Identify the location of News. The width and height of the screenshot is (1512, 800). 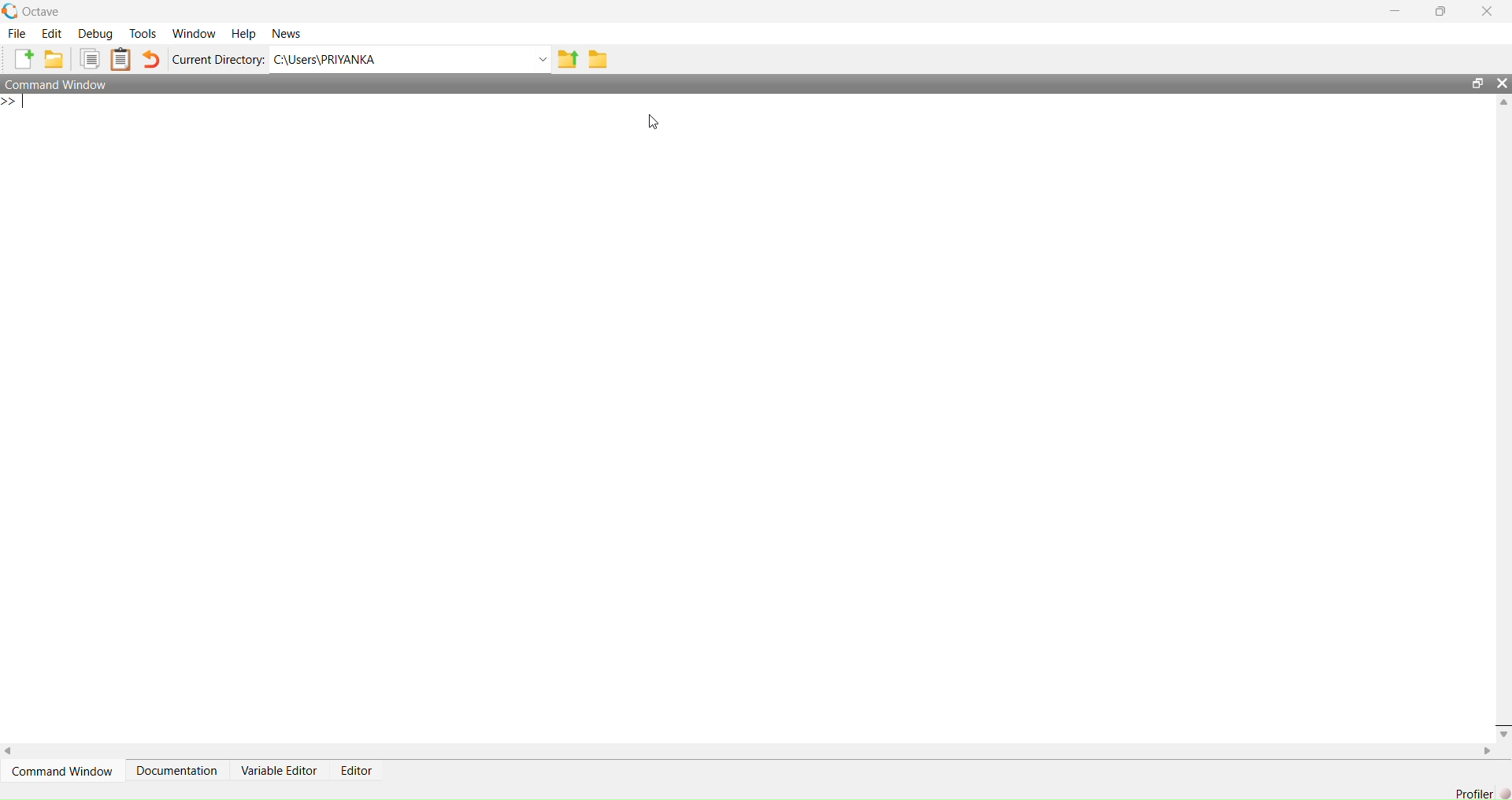
(288, 34).